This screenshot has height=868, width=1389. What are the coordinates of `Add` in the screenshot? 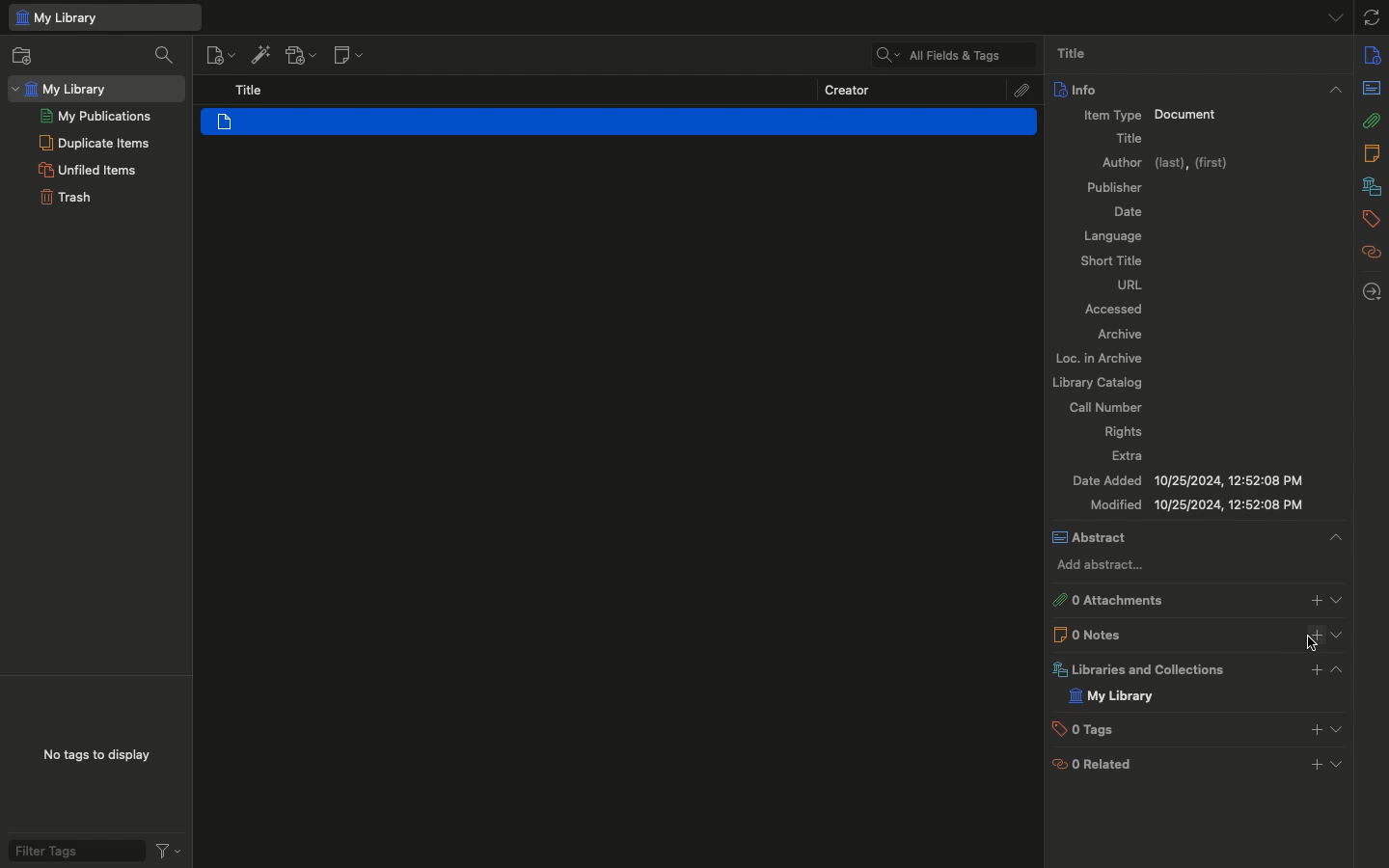 It's located at (1316, 599).